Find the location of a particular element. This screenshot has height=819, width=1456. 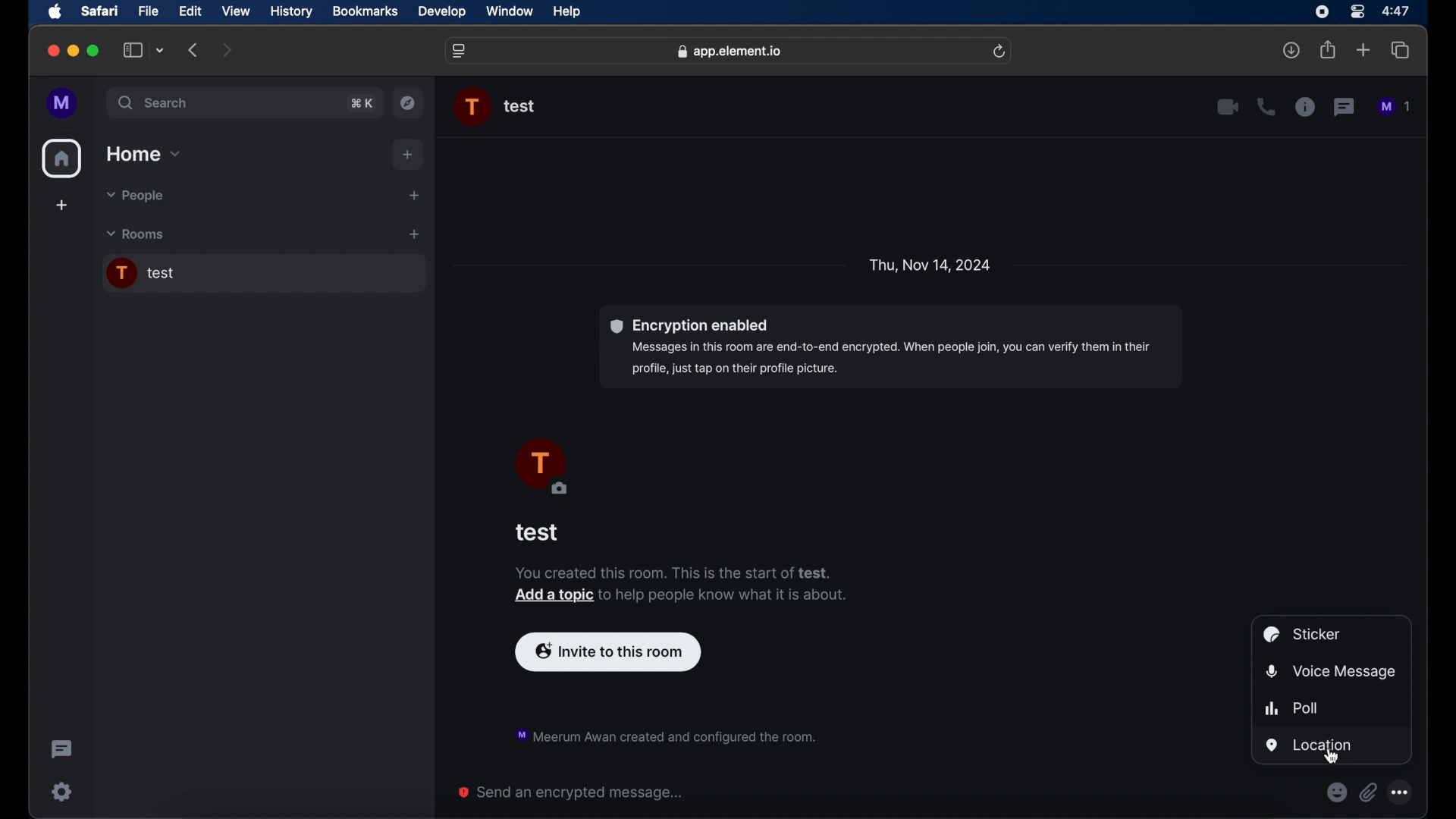

profile picture is located at coordinates (540, 468).